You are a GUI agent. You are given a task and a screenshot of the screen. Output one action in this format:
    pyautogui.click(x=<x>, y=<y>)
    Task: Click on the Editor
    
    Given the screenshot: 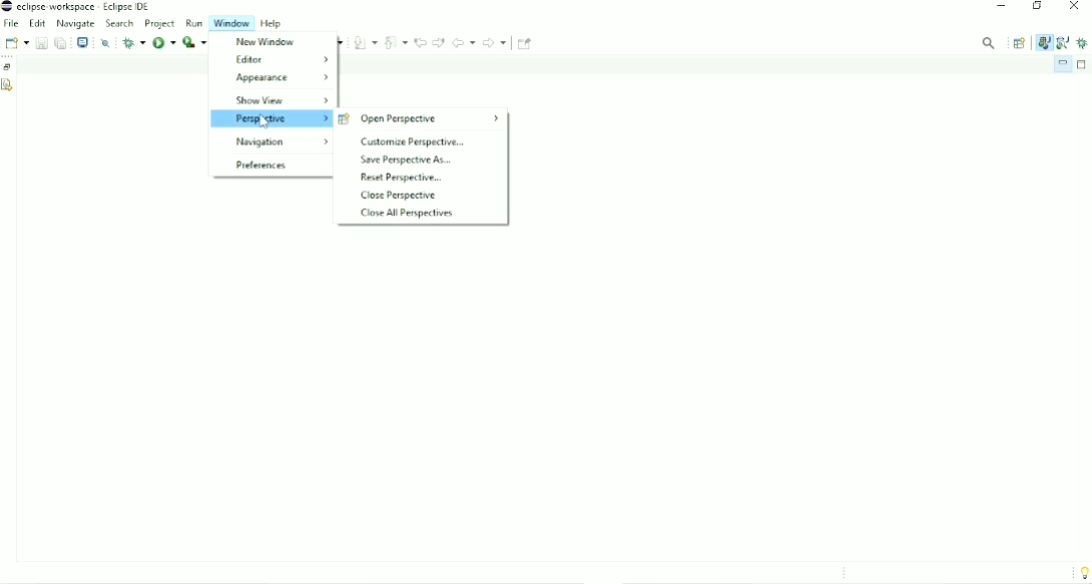 What is the action you would take?
    pyautogui.click(x=281, y=58)
    